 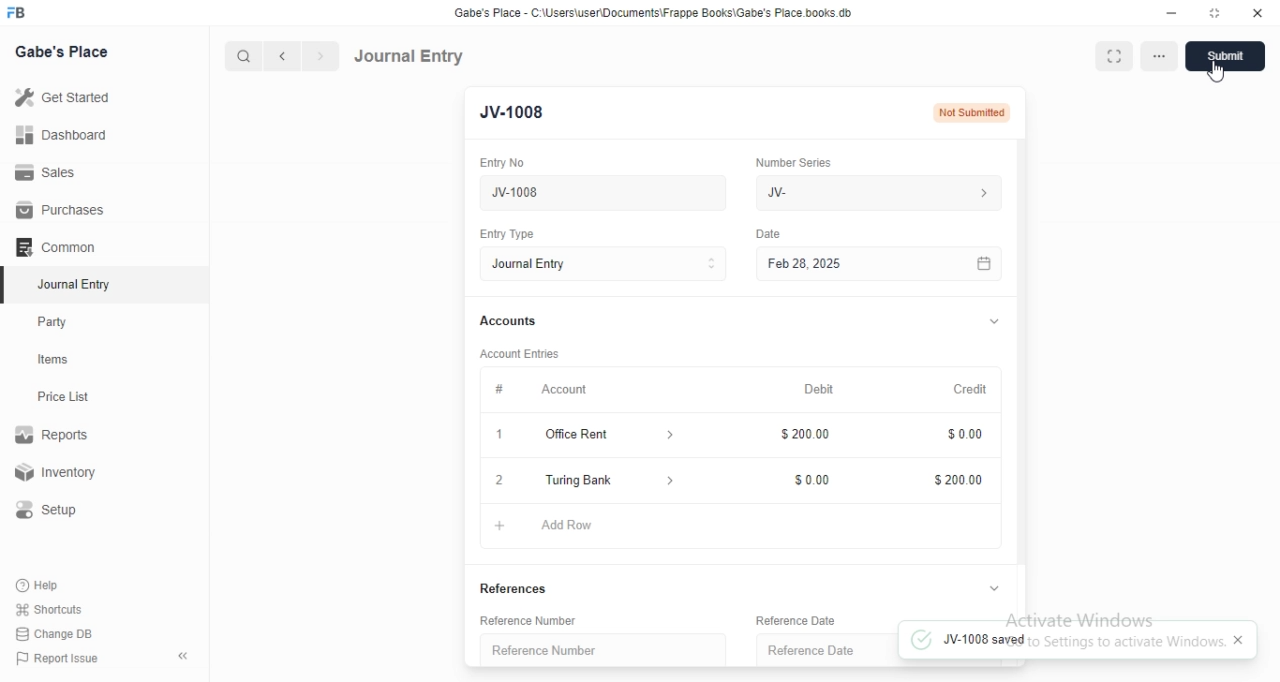 What do you see at coordinates (505, 162) in the screenshot?
I see `Entry No` at bounding box center [505, 162].